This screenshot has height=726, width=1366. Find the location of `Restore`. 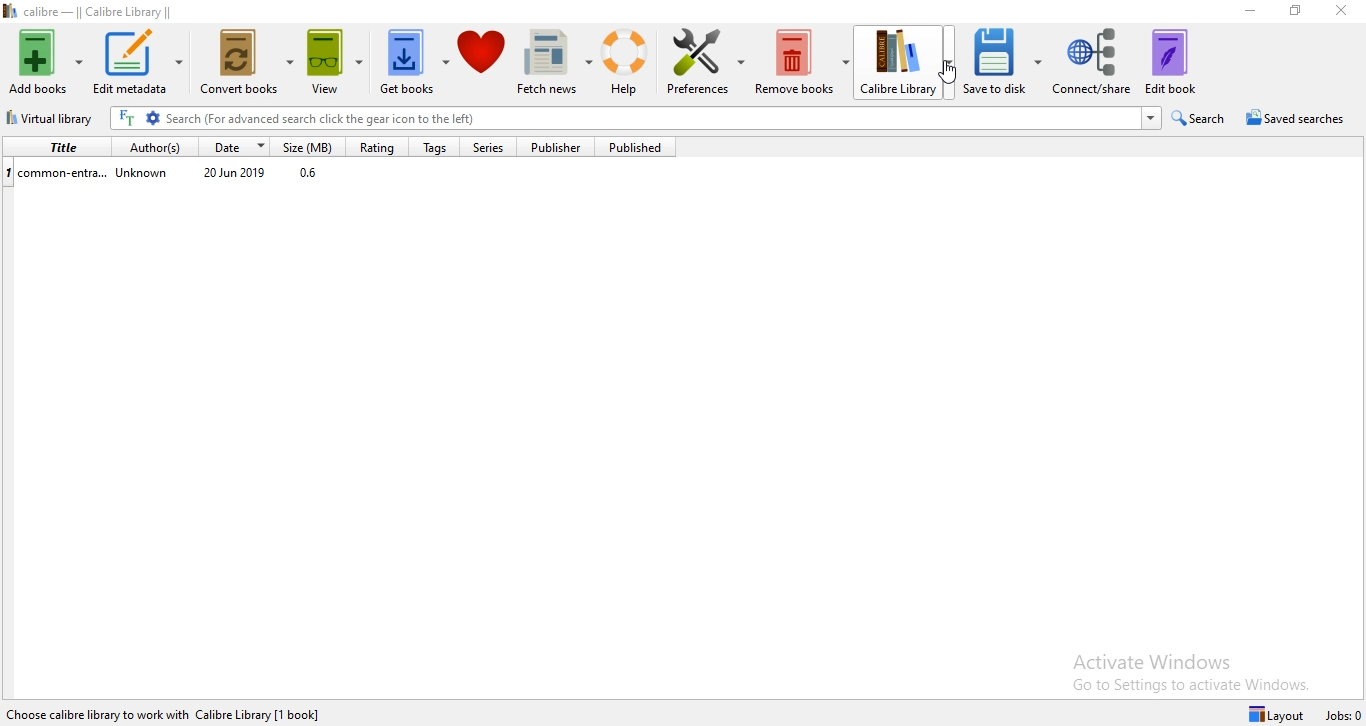

Restore is located at coordinates (1295, 11).